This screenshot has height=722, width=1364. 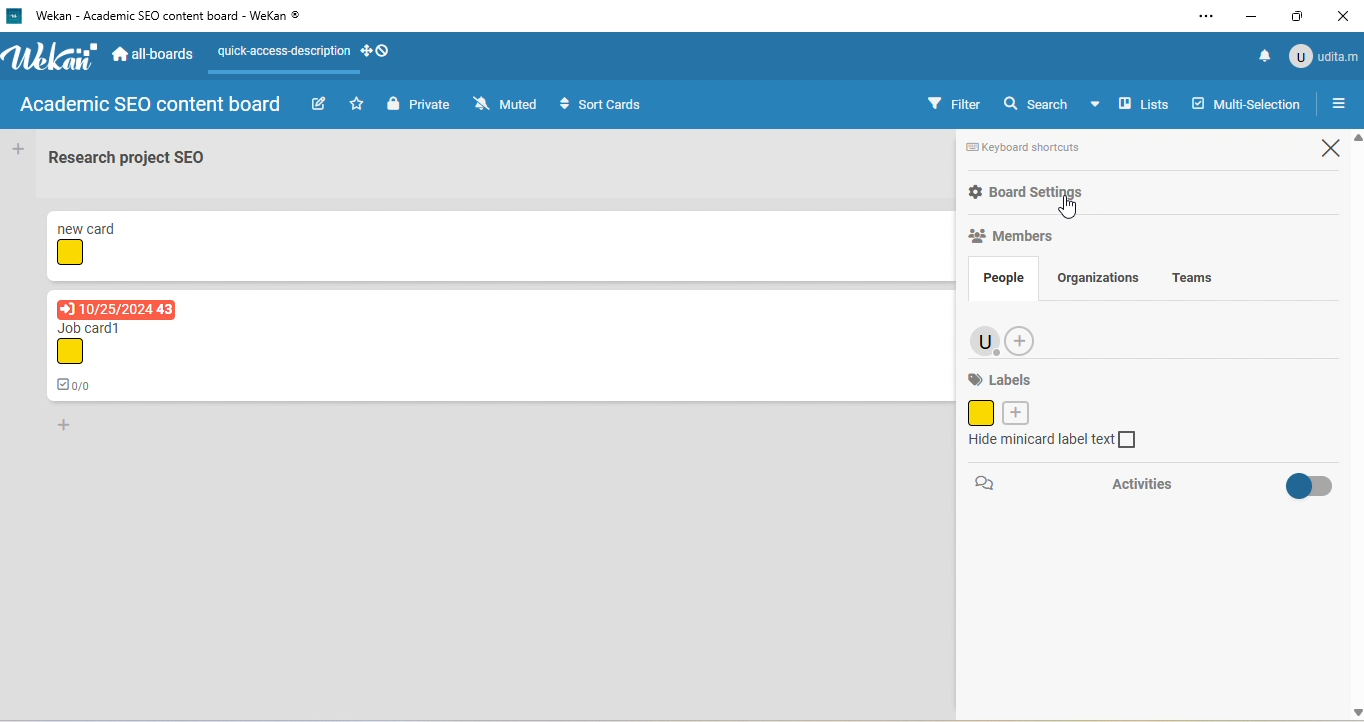 I want to click on add card to bottom , so click(x=72, y=428).